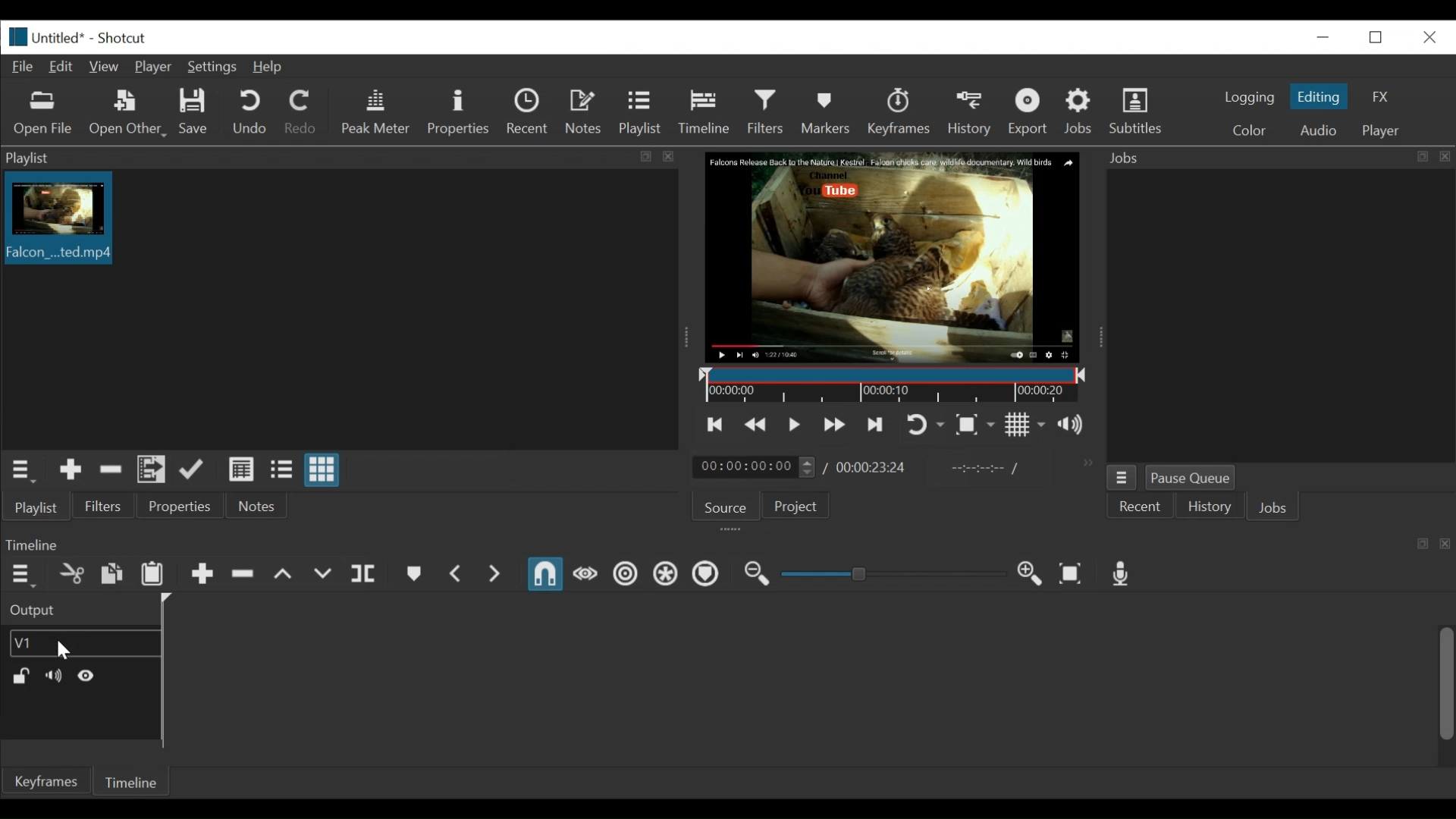  I want to click on FX, so click(1377, 96).